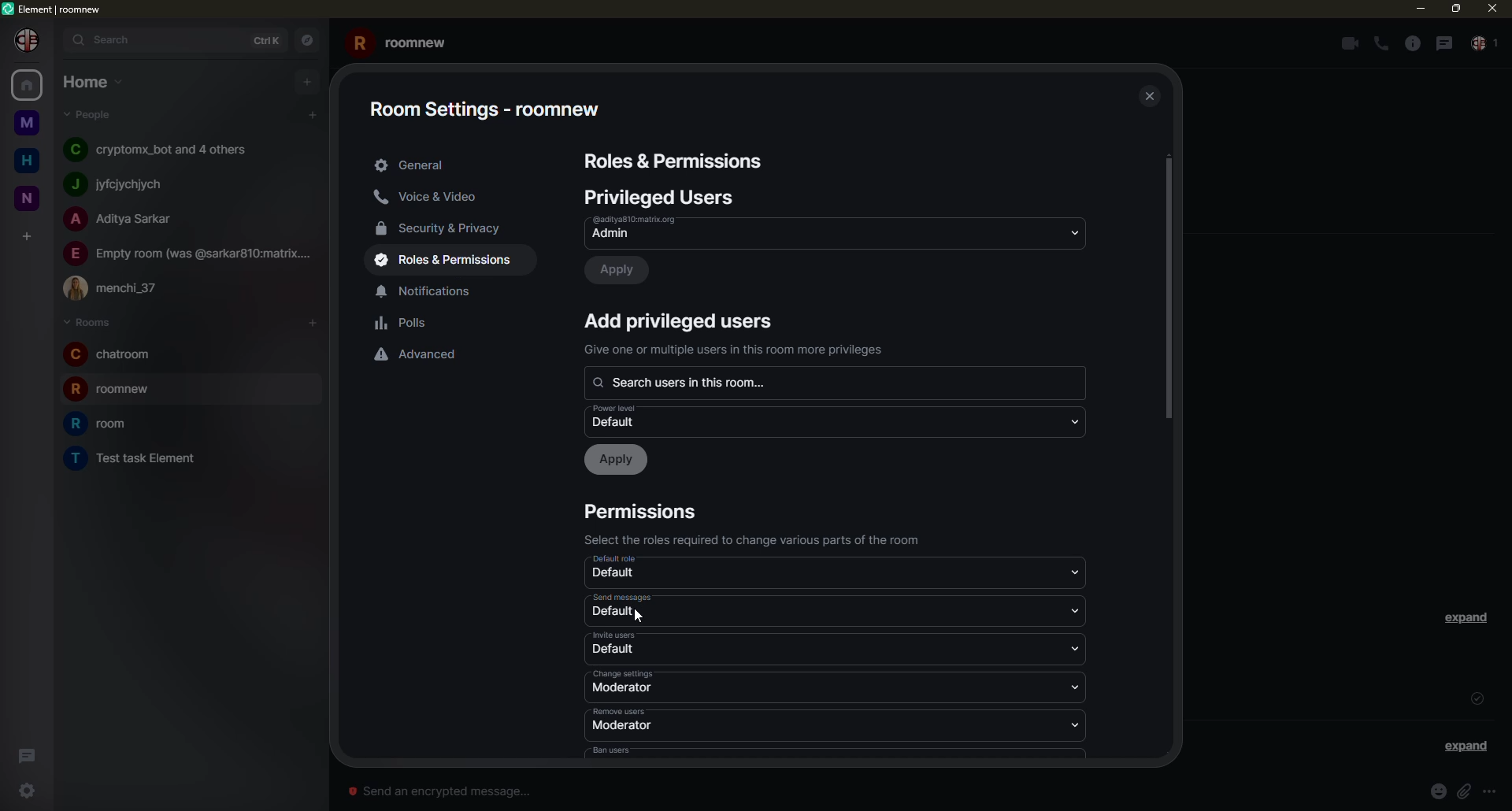  What do you see at coordinates (190, 252) in the screenshot?
I see `people` at bounding box center [190, 252].